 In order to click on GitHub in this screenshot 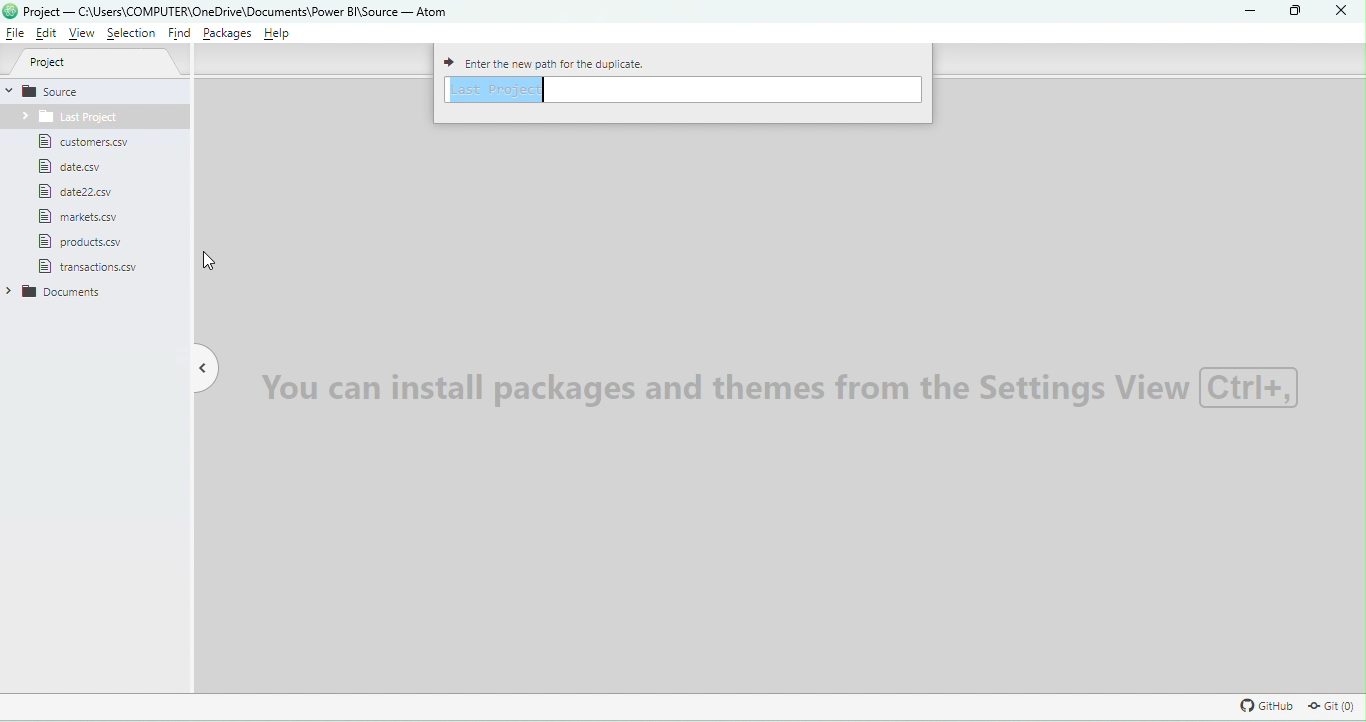, I will do `click(1264, 705)`.